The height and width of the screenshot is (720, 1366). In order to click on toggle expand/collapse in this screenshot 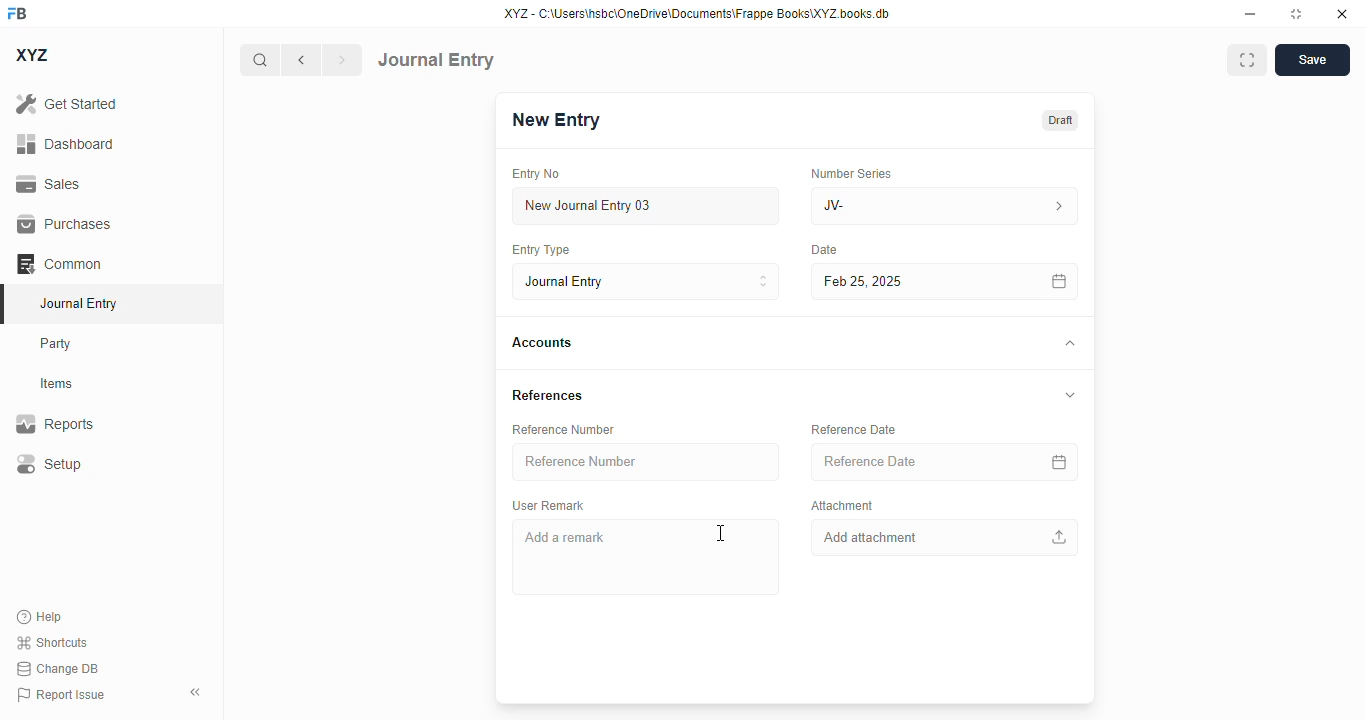, I will do `click(1067, 393)`.